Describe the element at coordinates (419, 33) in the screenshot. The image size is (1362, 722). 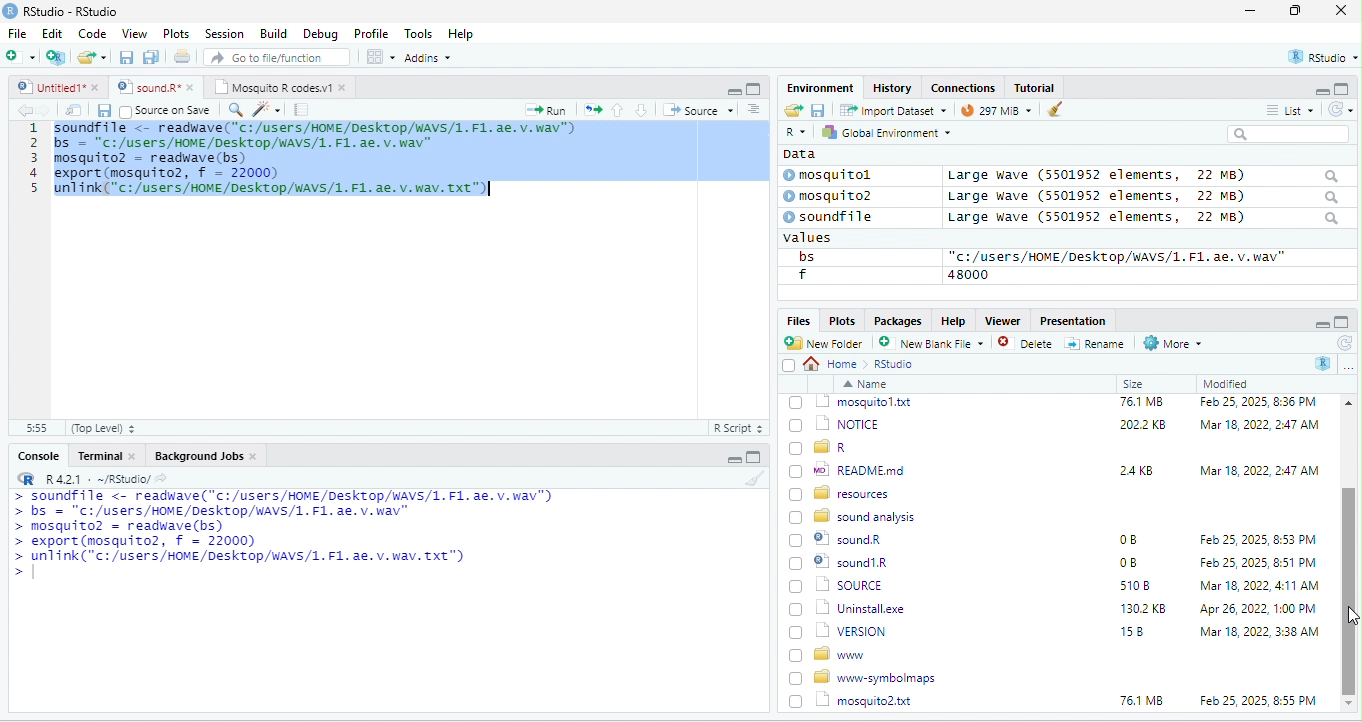
I see `Tools` at that location.